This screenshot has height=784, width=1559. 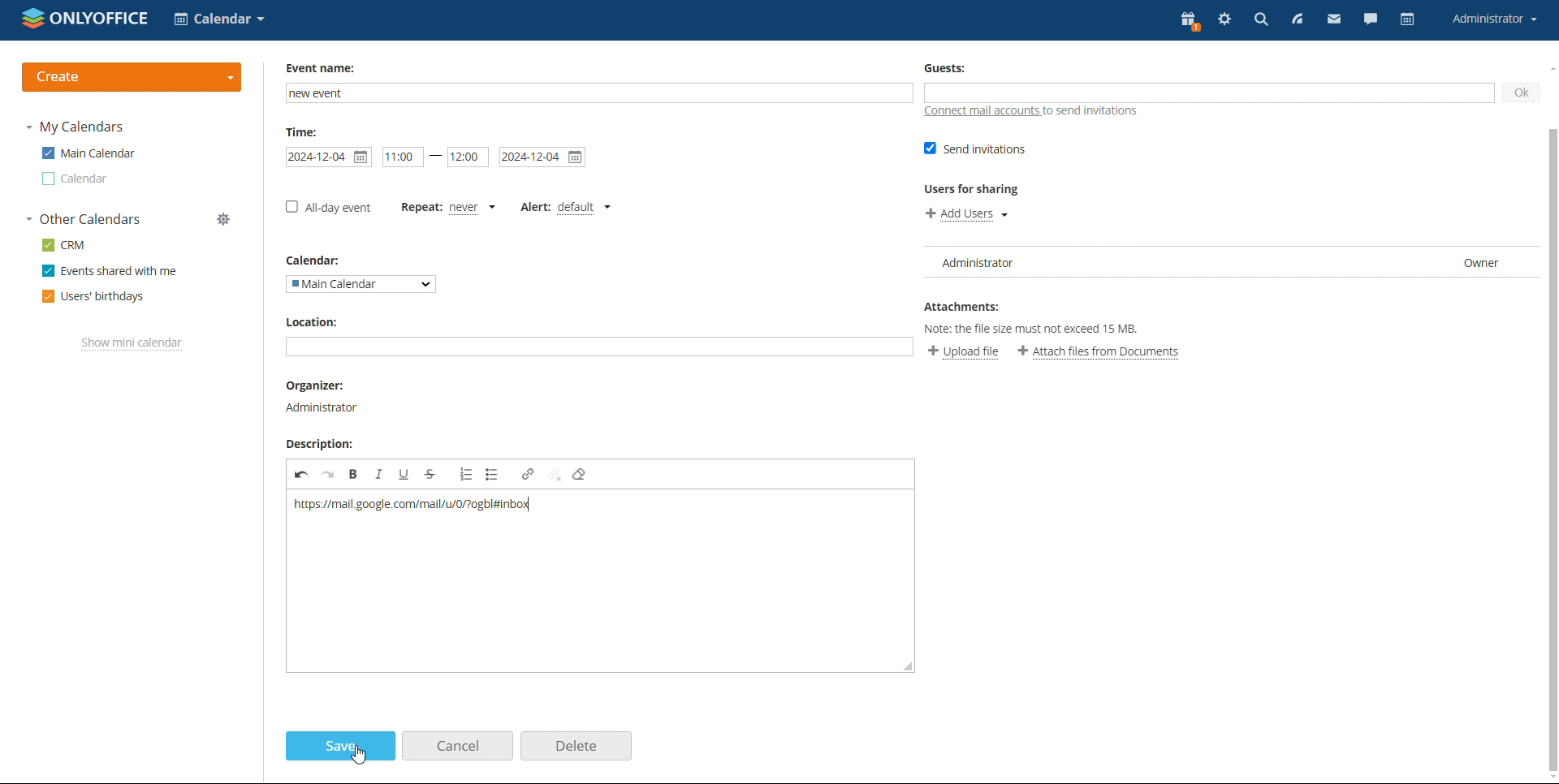 I want to click on start date, so click(x=326, y=155).